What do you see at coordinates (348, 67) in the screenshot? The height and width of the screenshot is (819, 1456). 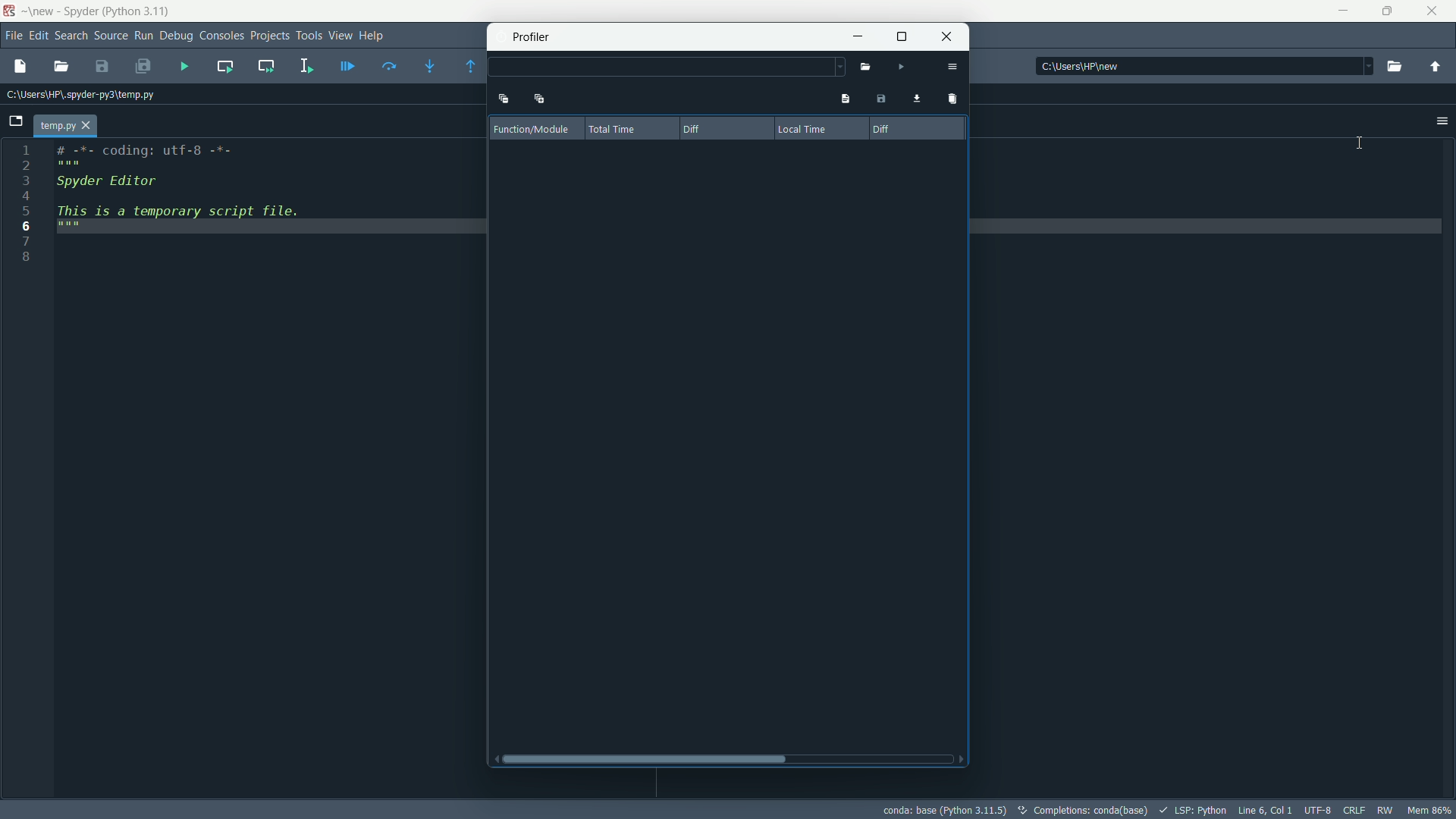 I see `debug file` at bounding box center [348, 67].